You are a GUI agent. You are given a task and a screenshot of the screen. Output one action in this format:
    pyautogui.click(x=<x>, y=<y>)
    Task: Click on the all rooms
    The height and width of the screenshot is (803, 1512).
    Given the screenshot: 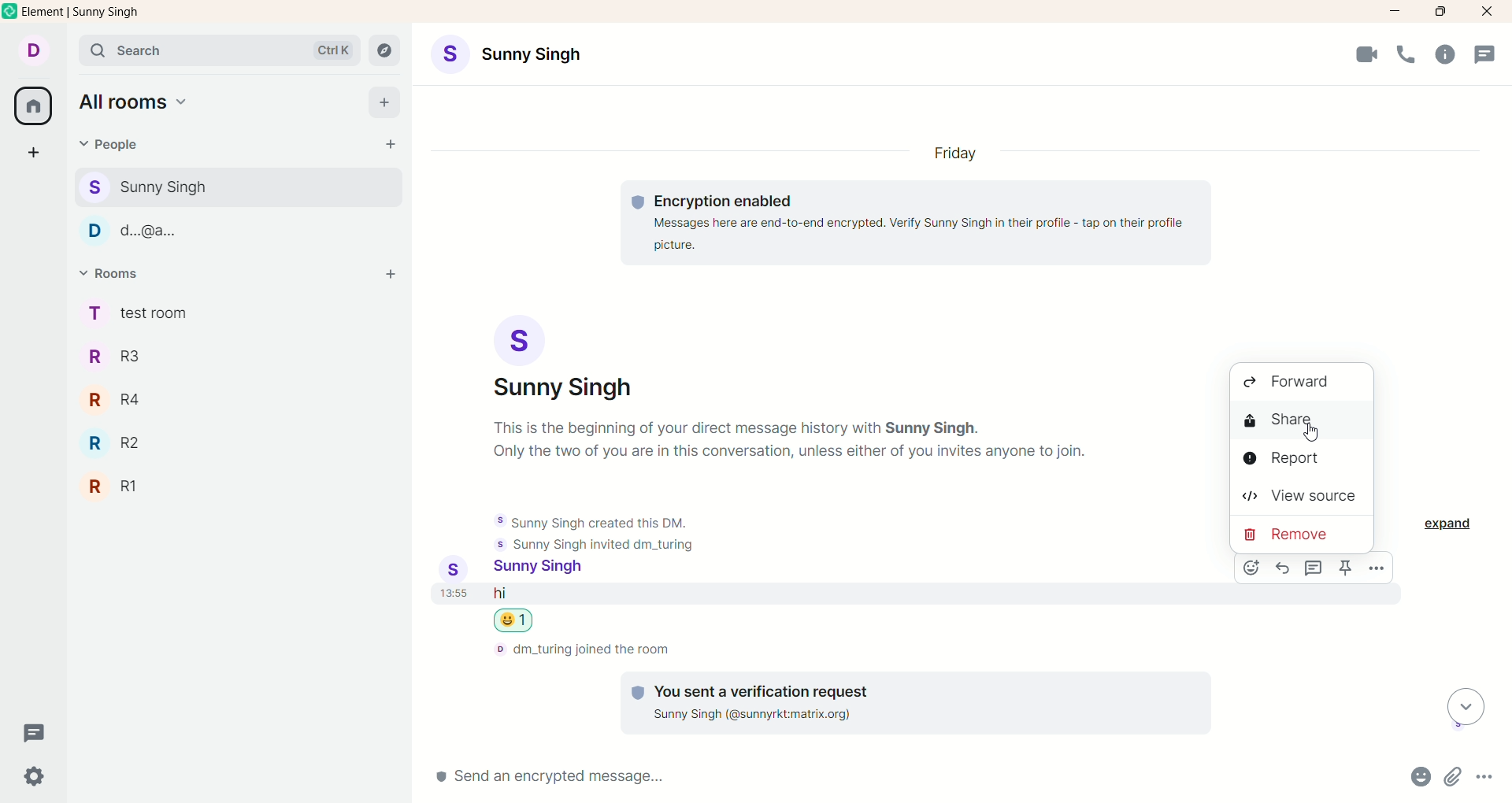 What is the action you would take?
    pyautogui.click(x=31, y=109)
    